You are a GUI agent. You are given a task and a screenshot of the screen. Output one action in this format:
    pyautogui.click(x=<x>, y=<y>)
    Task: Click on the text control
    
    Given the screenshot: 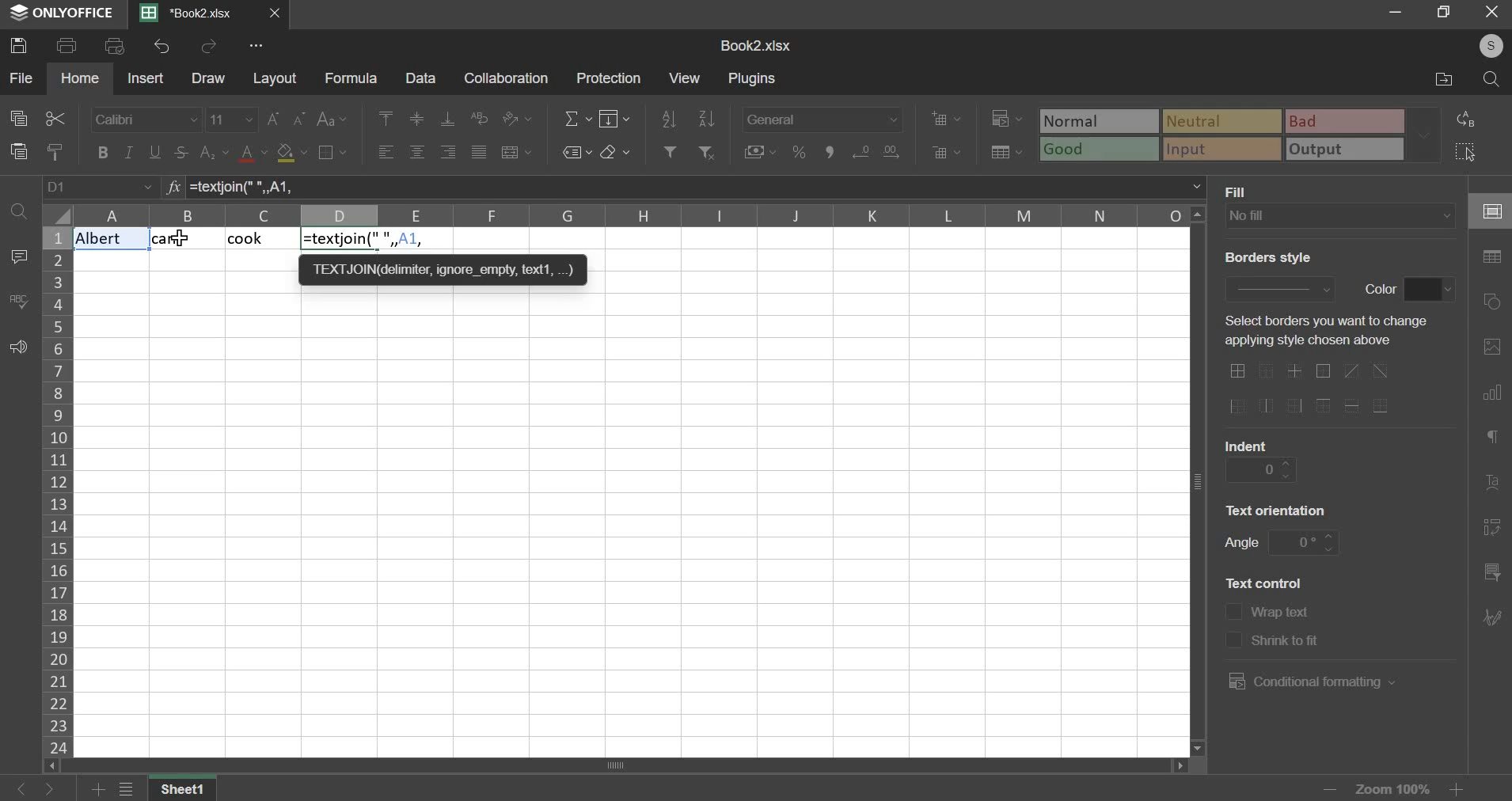 What is the action you would take?
    pyautogui.click(x=1233, y=626)
    